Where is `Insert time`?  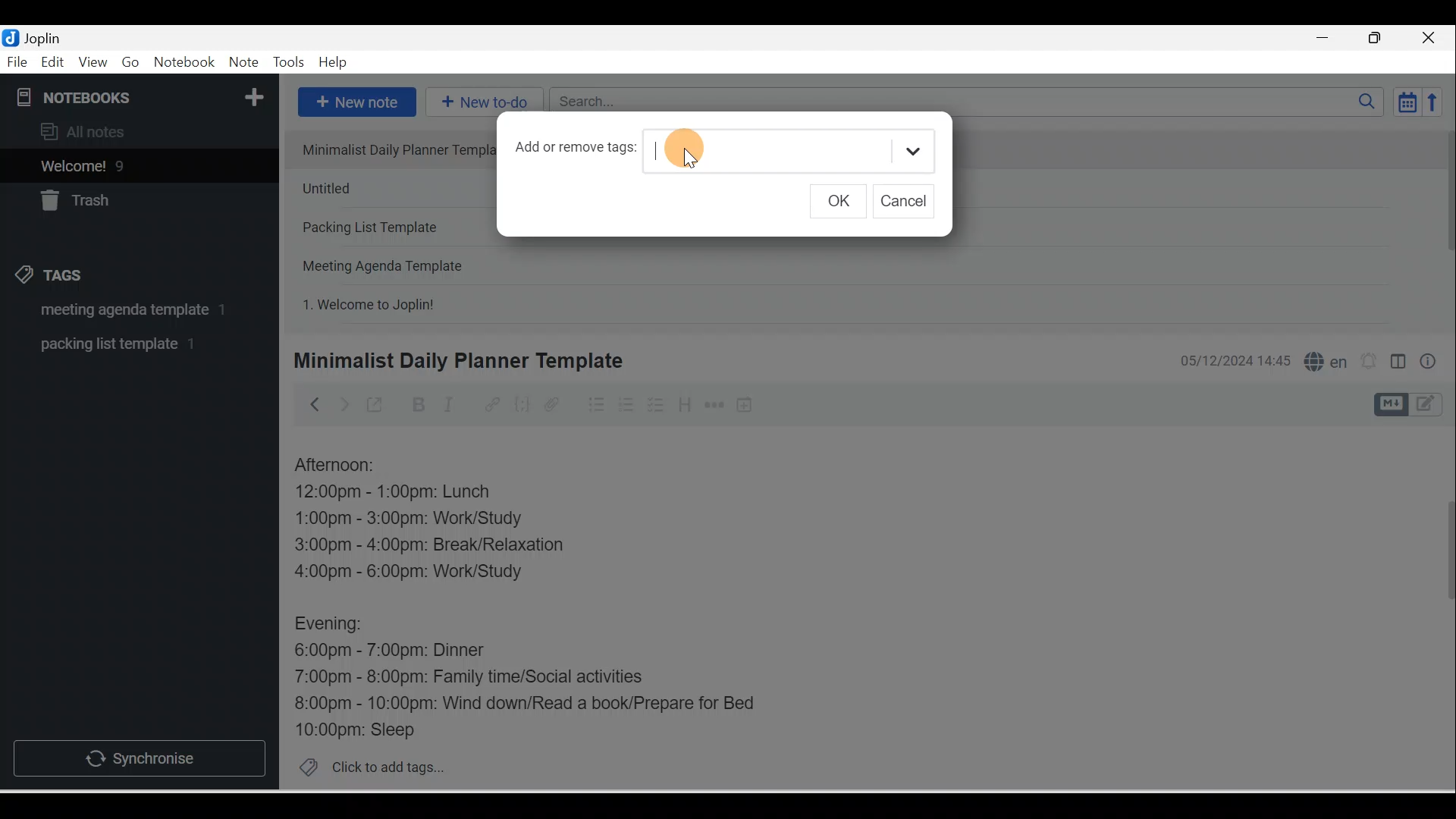
Insert time is located at coordinates (744, 406).